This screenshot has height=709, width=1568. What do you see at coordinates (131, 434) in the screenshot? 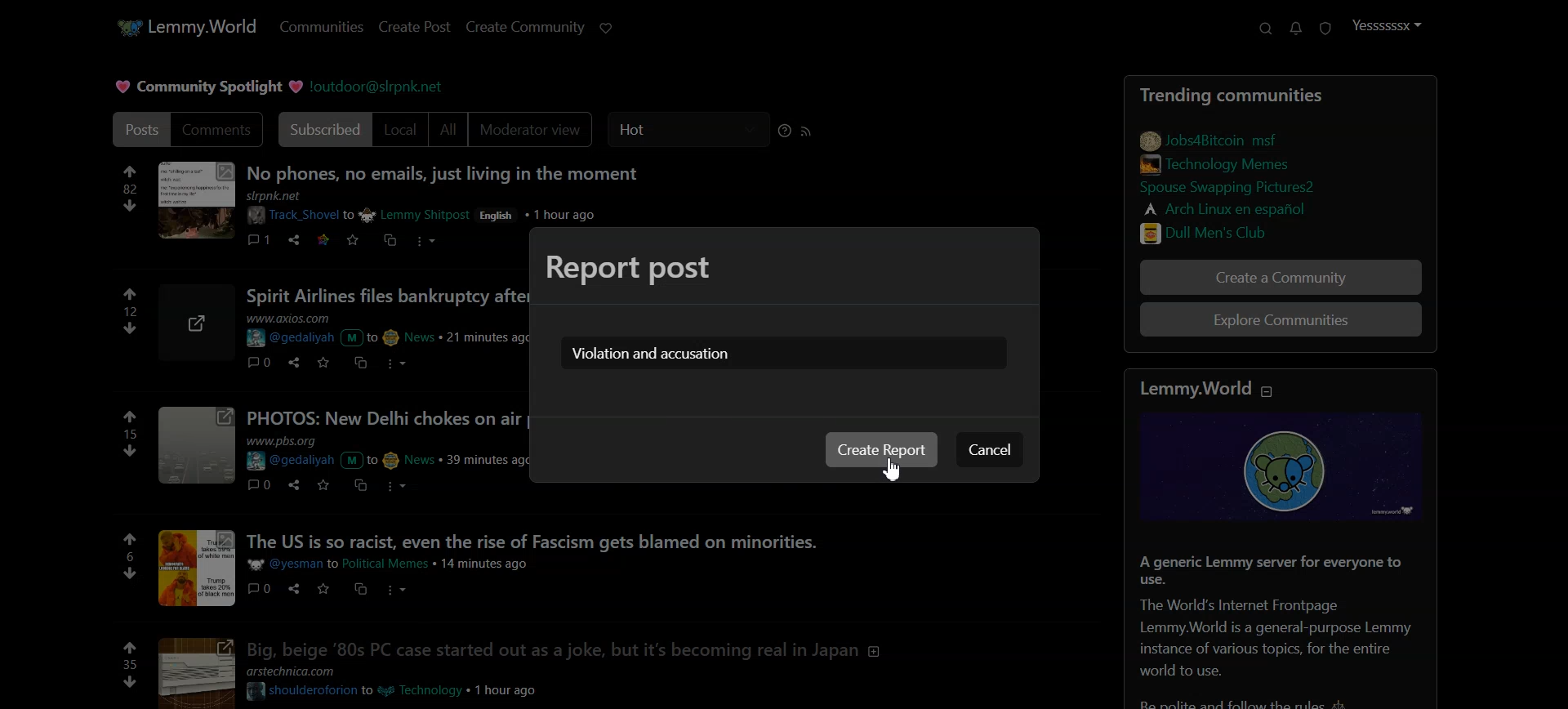
I see `numbers` at bounding box center [131, 434].